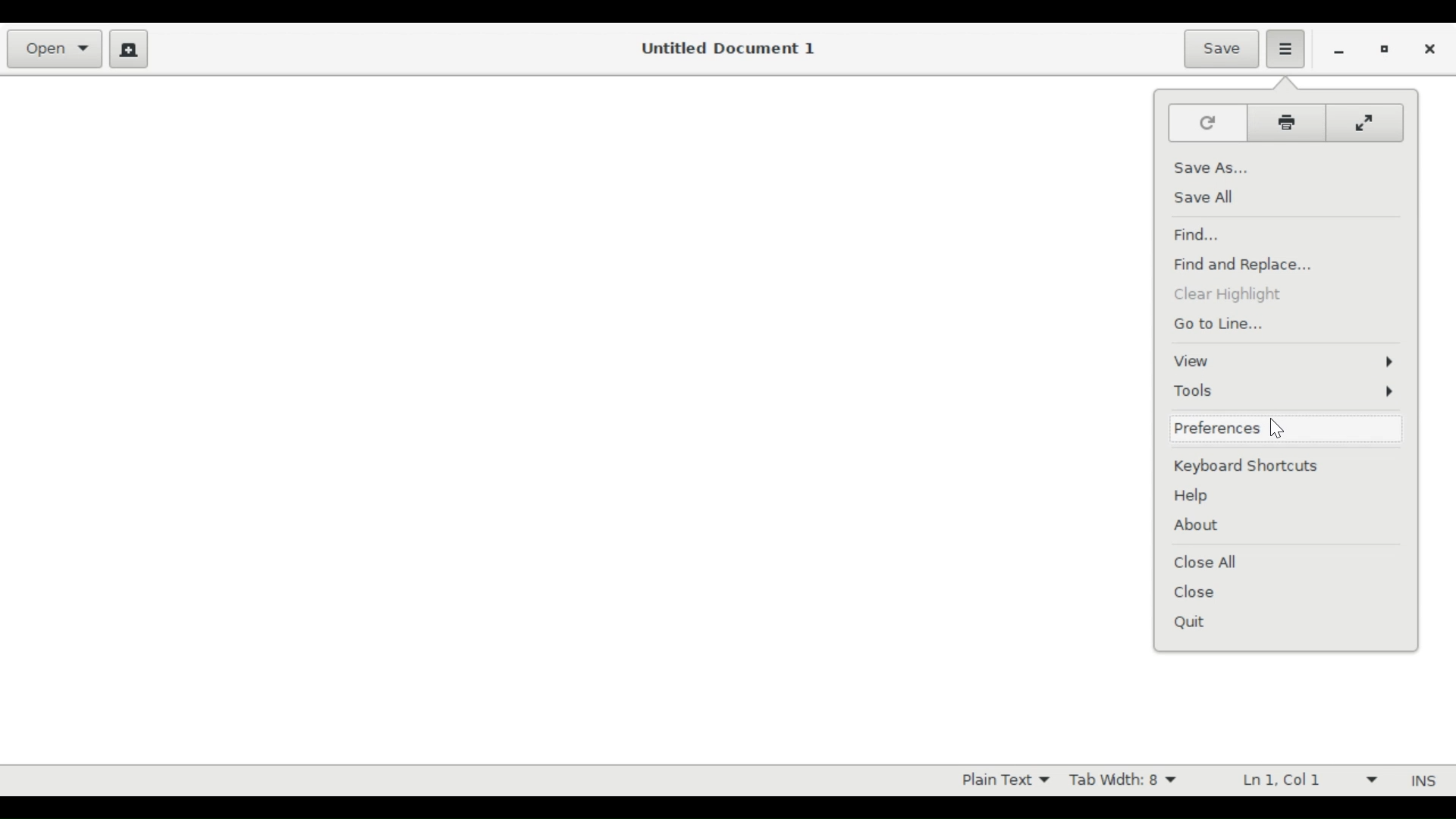 Image resolution: width=1456 pixels, height=819 pixels. Describe the element at coordinates (1207, 562) in the screenshot. I see `Close All` at that location.